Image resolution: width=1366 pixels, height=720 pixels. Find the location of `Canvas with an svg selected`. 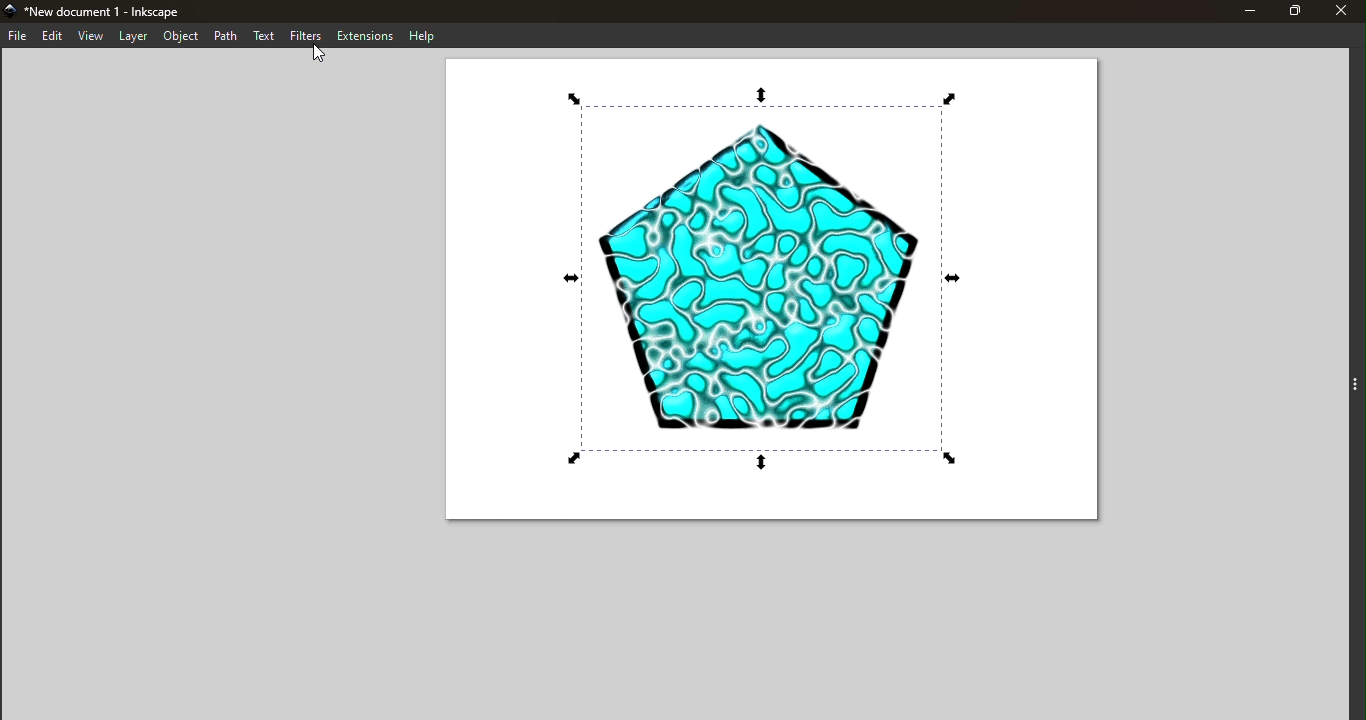

Canvas with an svg selected is located at coordinates (773, 292).